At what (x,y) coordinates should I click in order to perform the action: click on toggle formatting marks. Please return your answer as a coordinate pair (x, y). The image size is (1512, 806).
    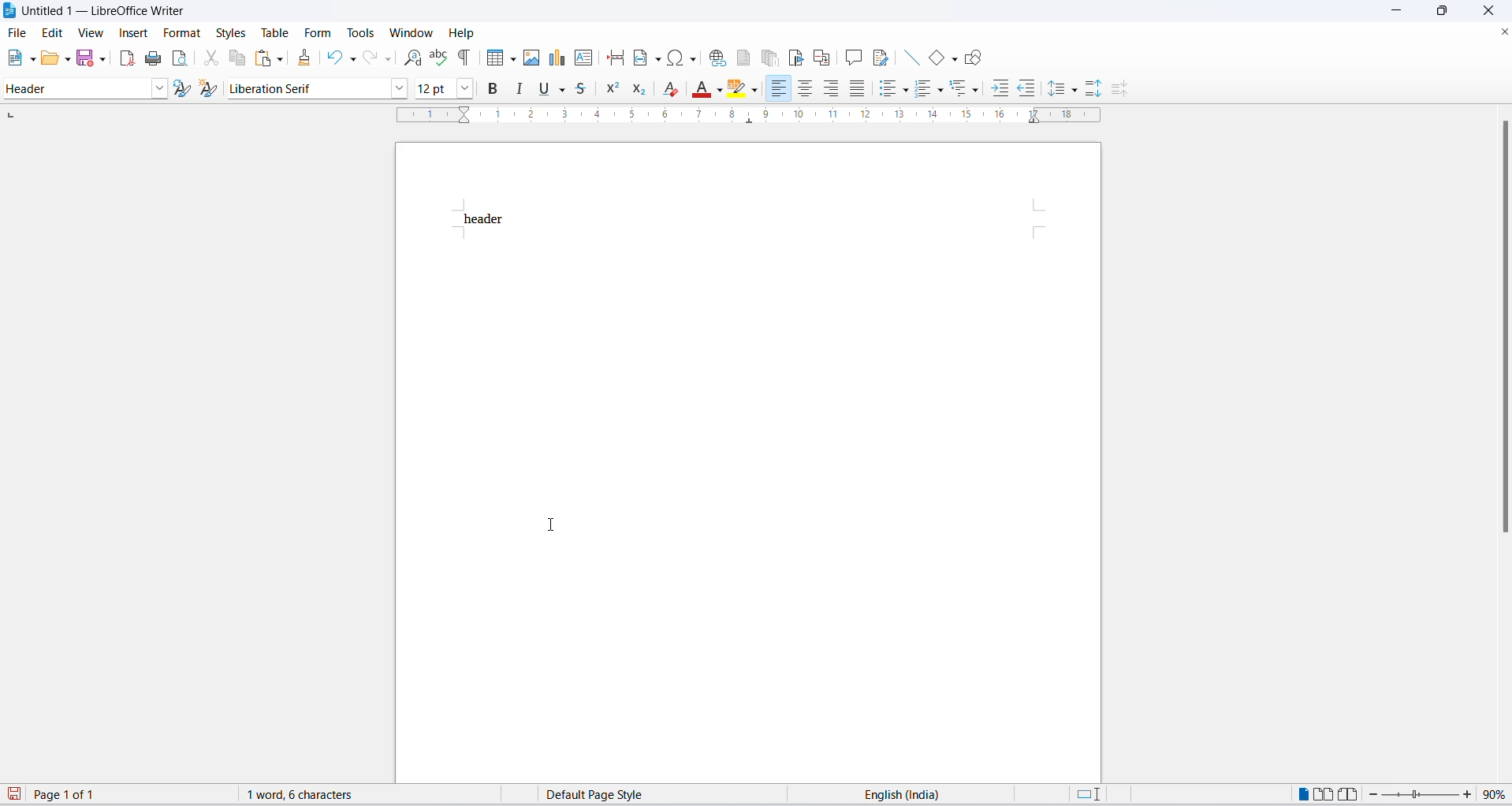
    Looking at the image, I should click on (465, 57).